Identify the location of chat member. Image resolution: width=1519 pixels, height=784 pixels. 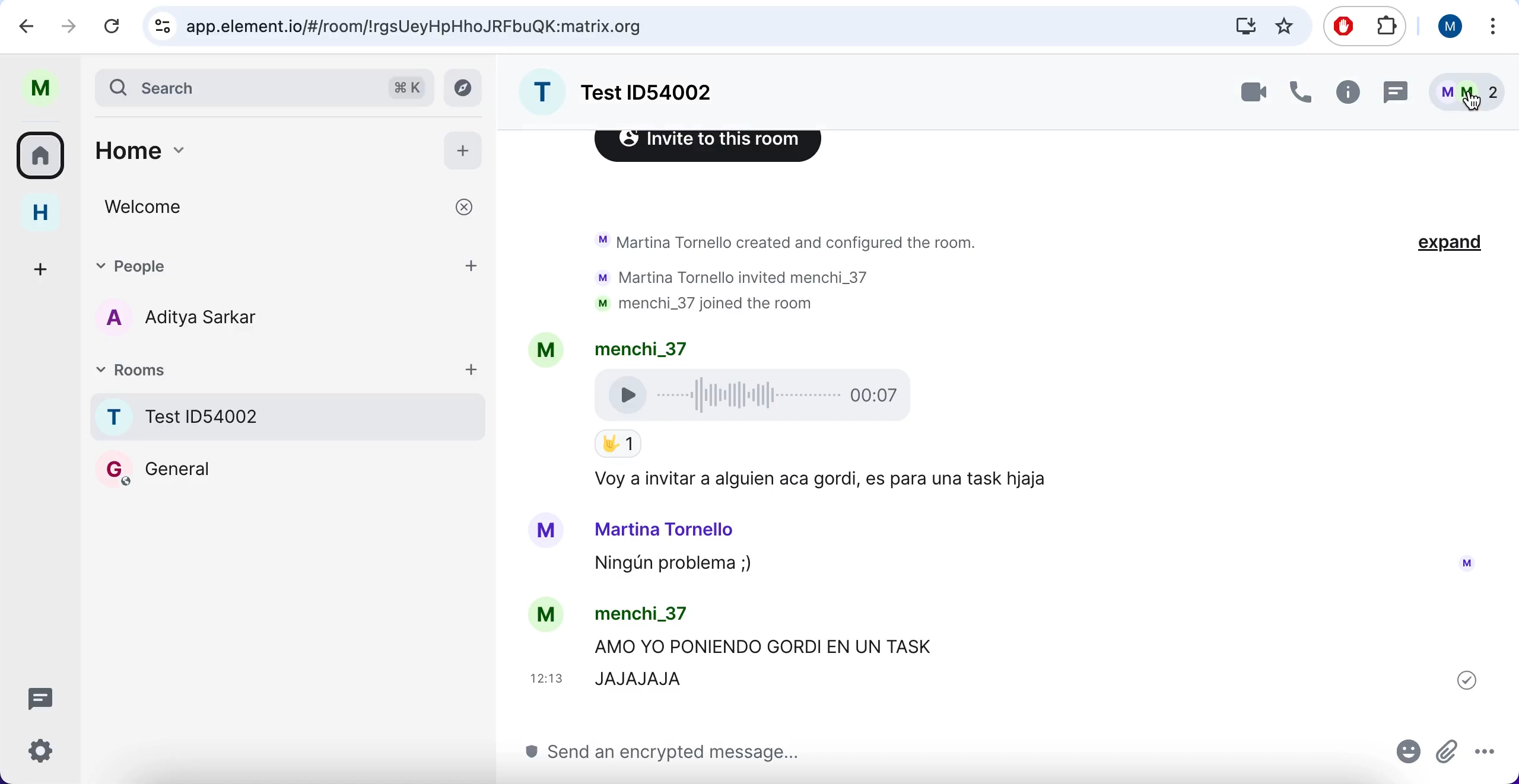
(275, 317).